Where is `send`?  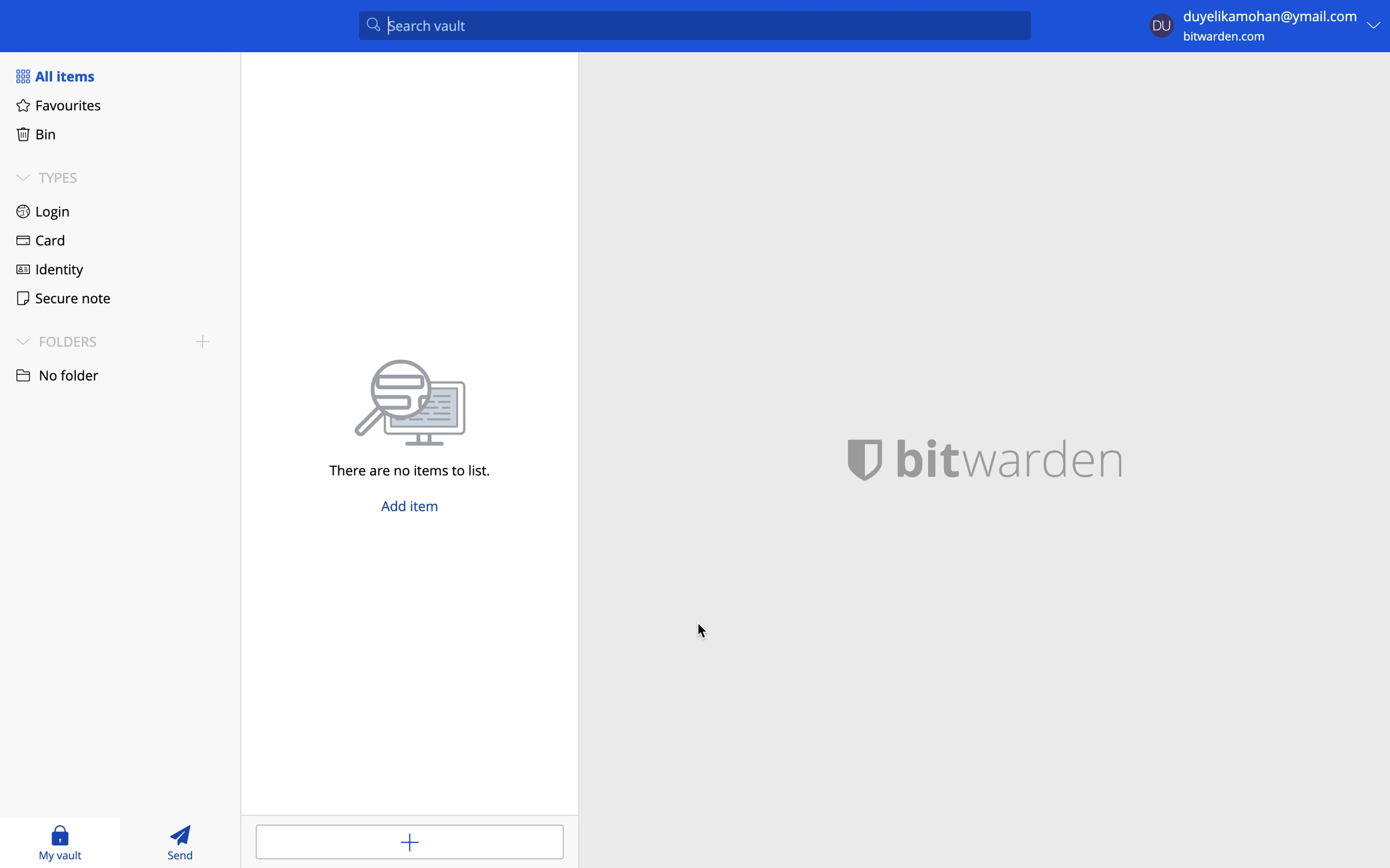
send is located at coordinates (182, 844).